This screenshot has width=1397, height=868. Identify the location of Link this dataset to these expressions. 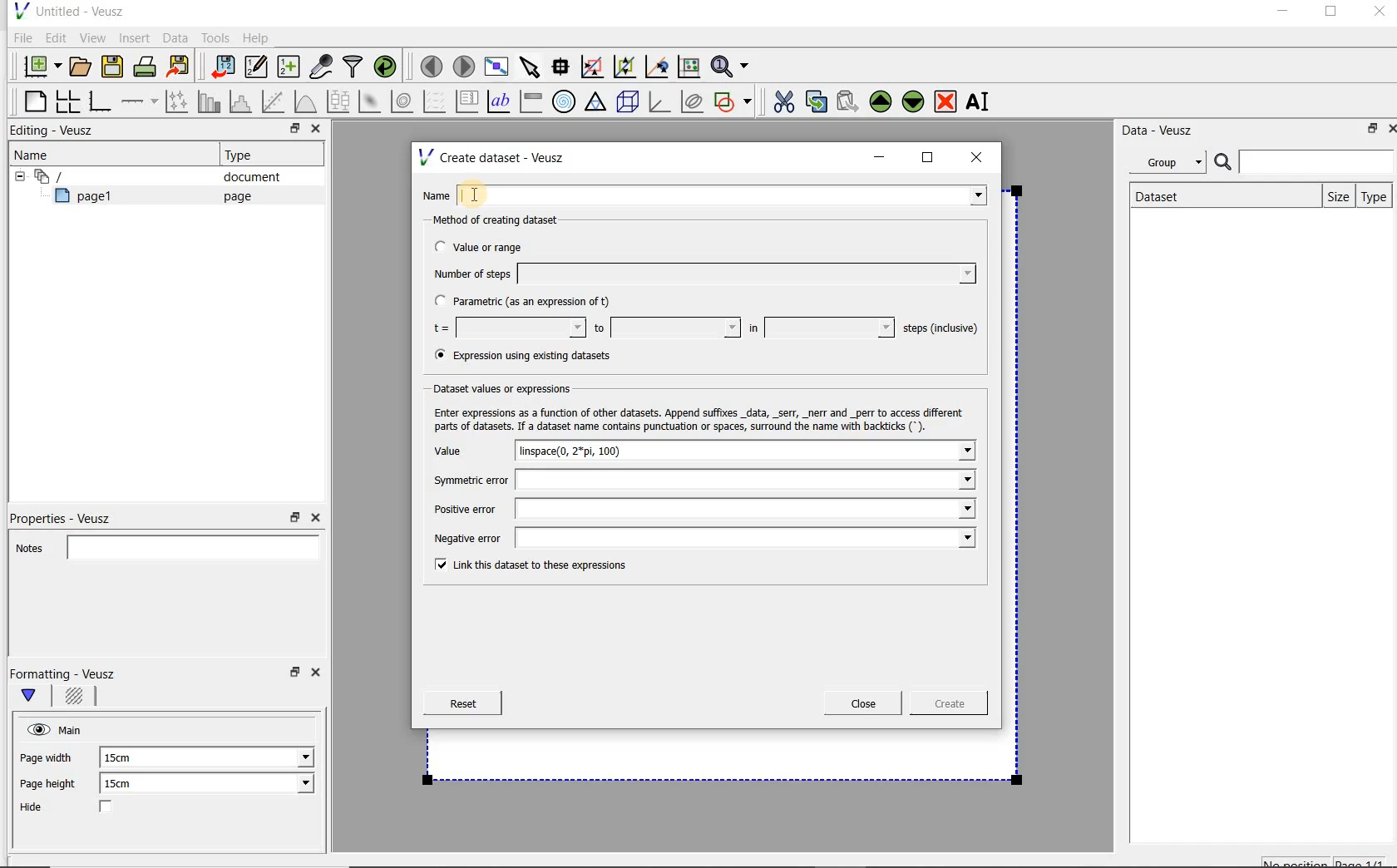
(526, 566).